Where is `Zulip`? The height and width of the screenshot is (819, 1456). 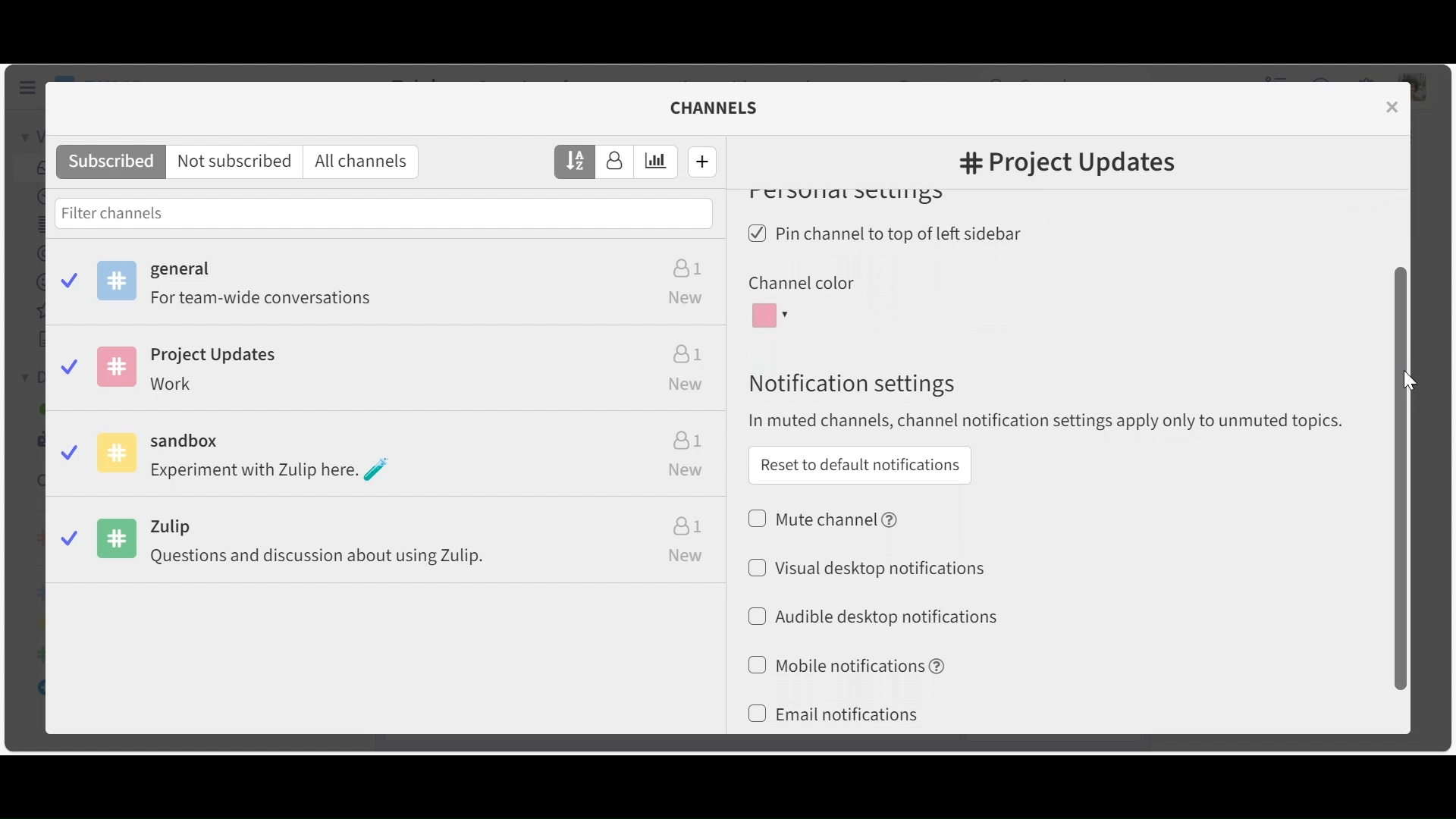 Zulip is located at coordinates (390, 544).